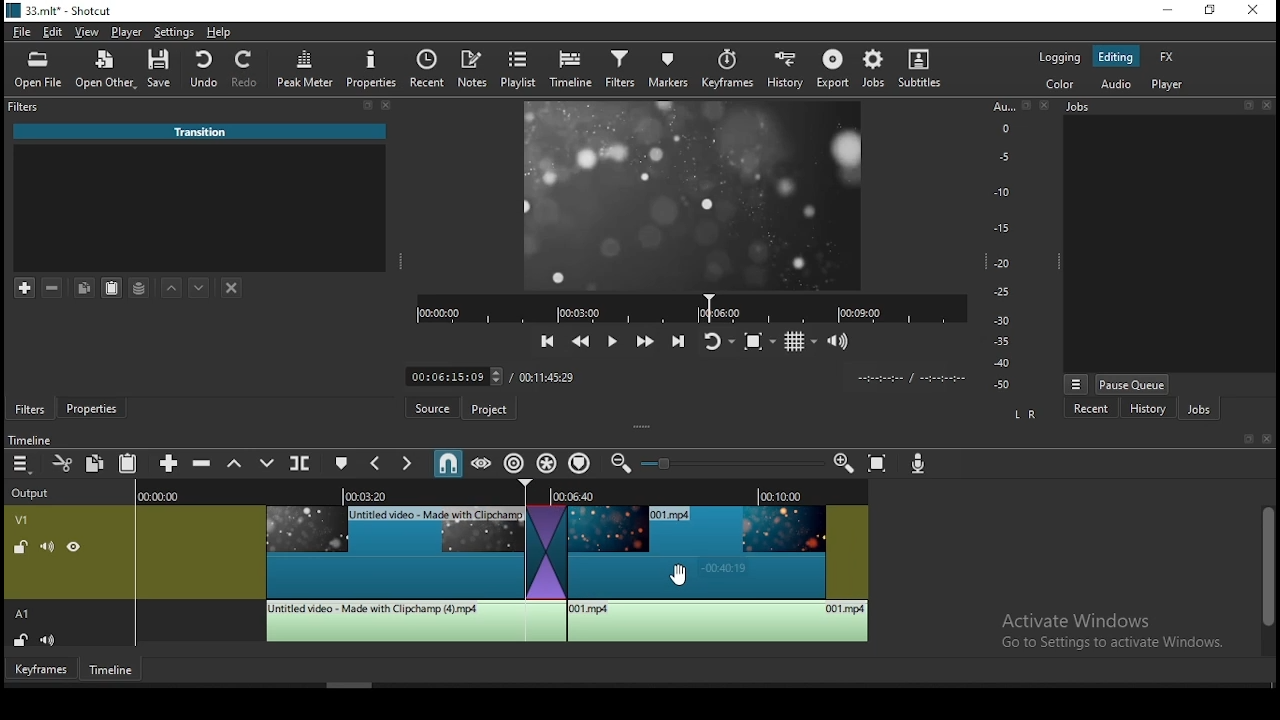 This screenshot has width=1280, height=720. Describe the element at coordinates (839, 338) in the screenshot. I see `show video volume control` at that location.